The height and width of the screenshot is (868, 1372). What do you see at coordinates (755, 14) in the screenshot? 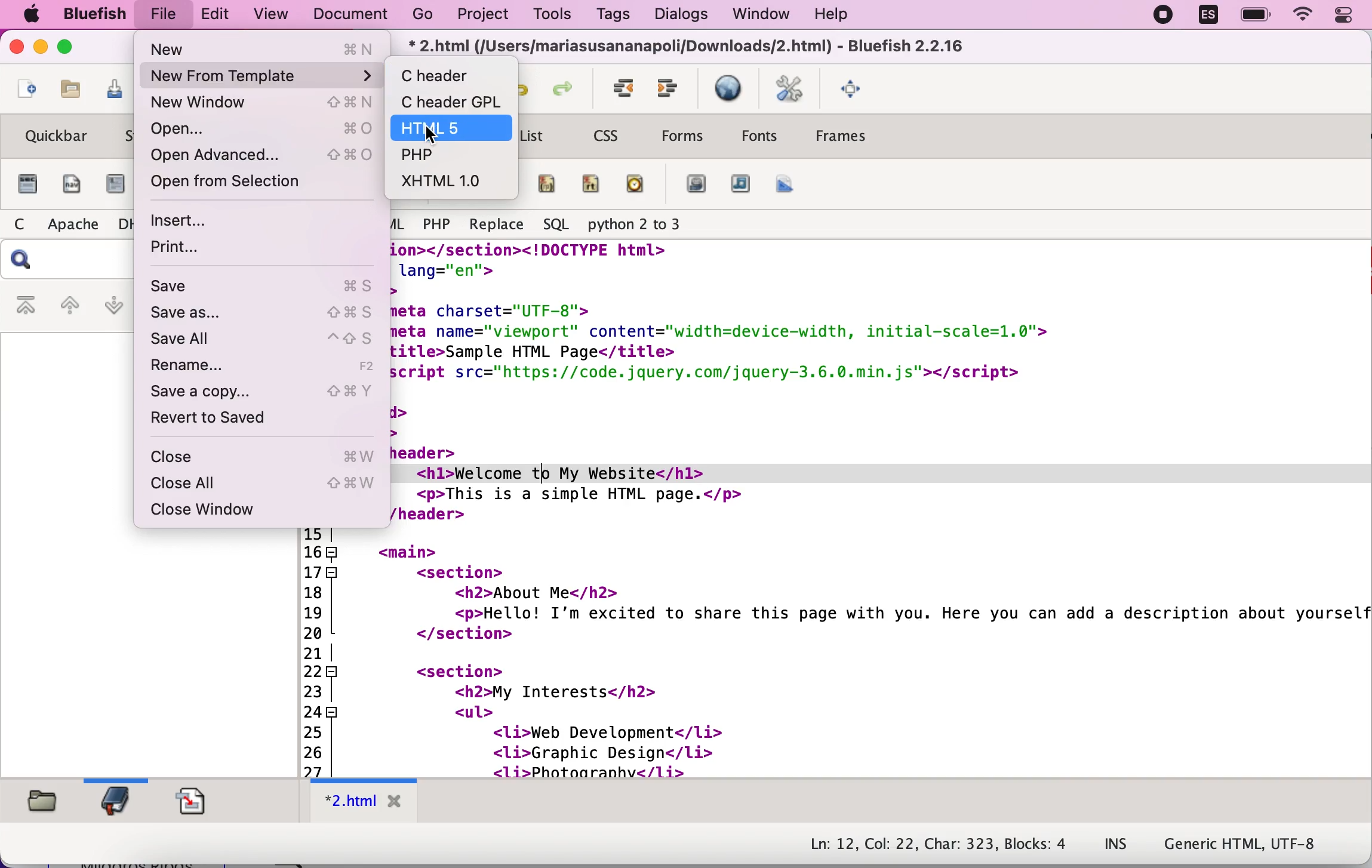
I see `window` at bounding box center [755, 14].